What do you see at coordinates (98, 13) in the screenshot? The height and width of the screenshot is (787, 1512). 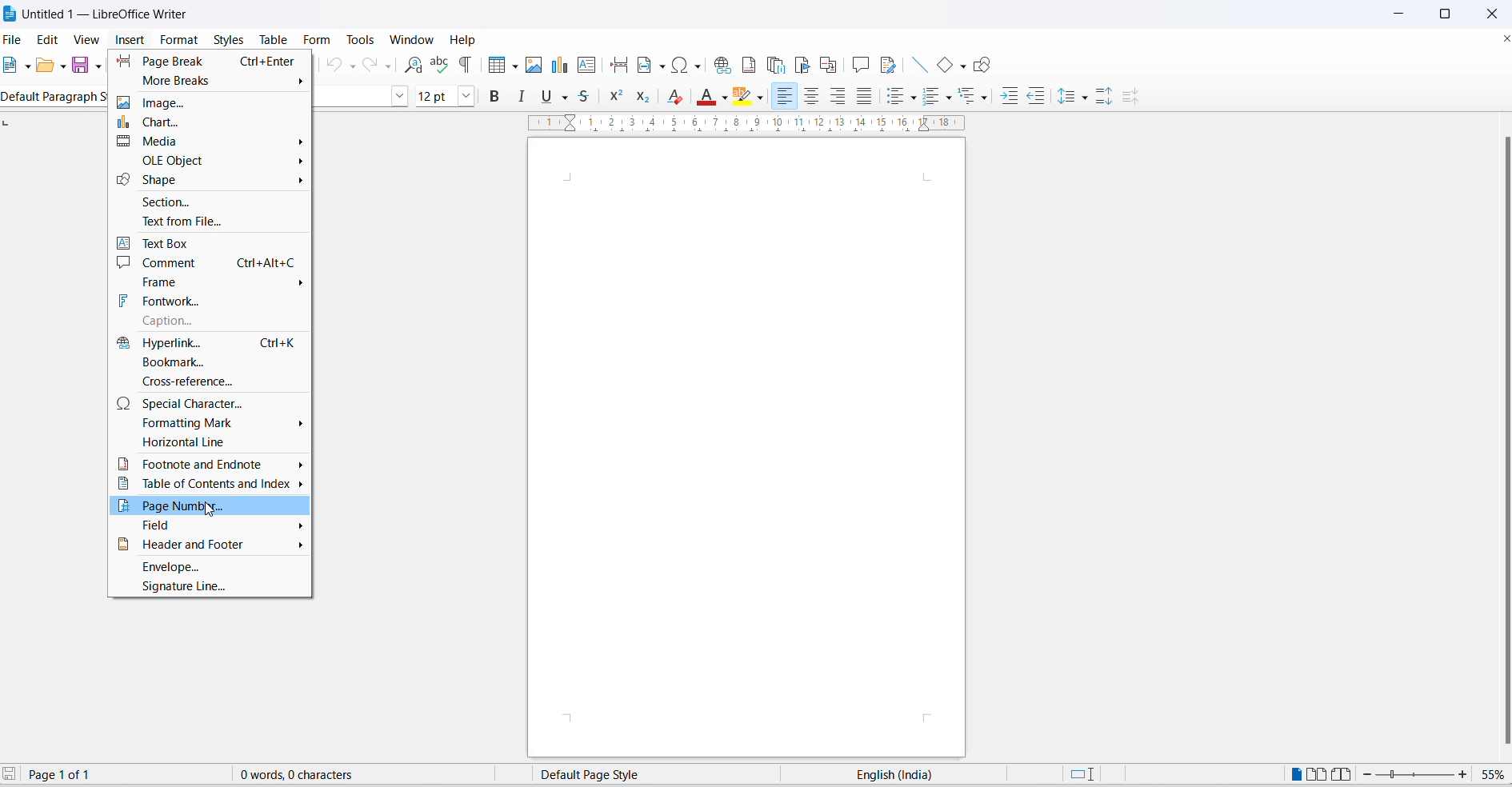 I see `Untitled 1 - Libre Office Writer` at bounding box center [98, 13].